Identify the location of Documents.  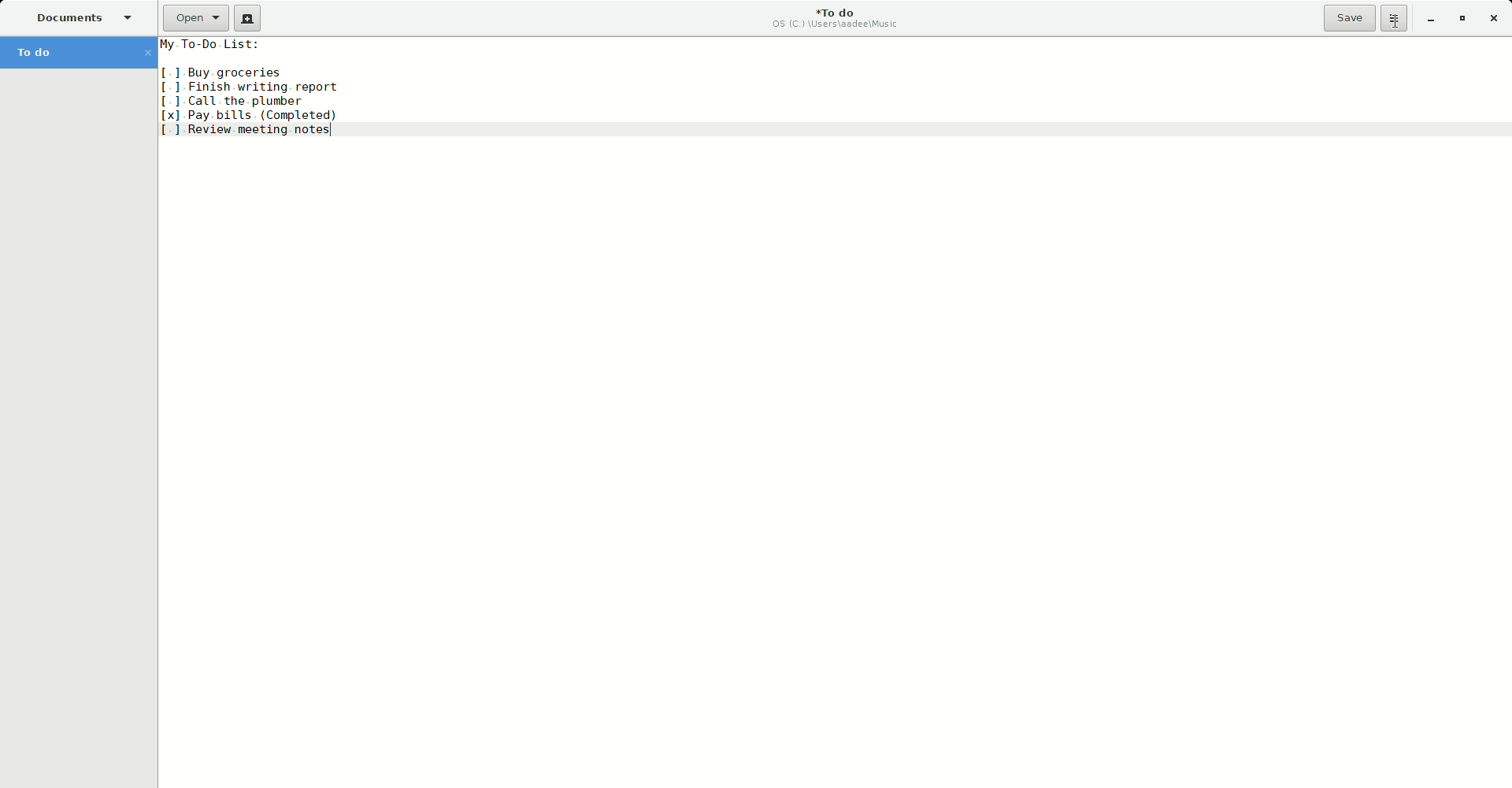
(84, 17).